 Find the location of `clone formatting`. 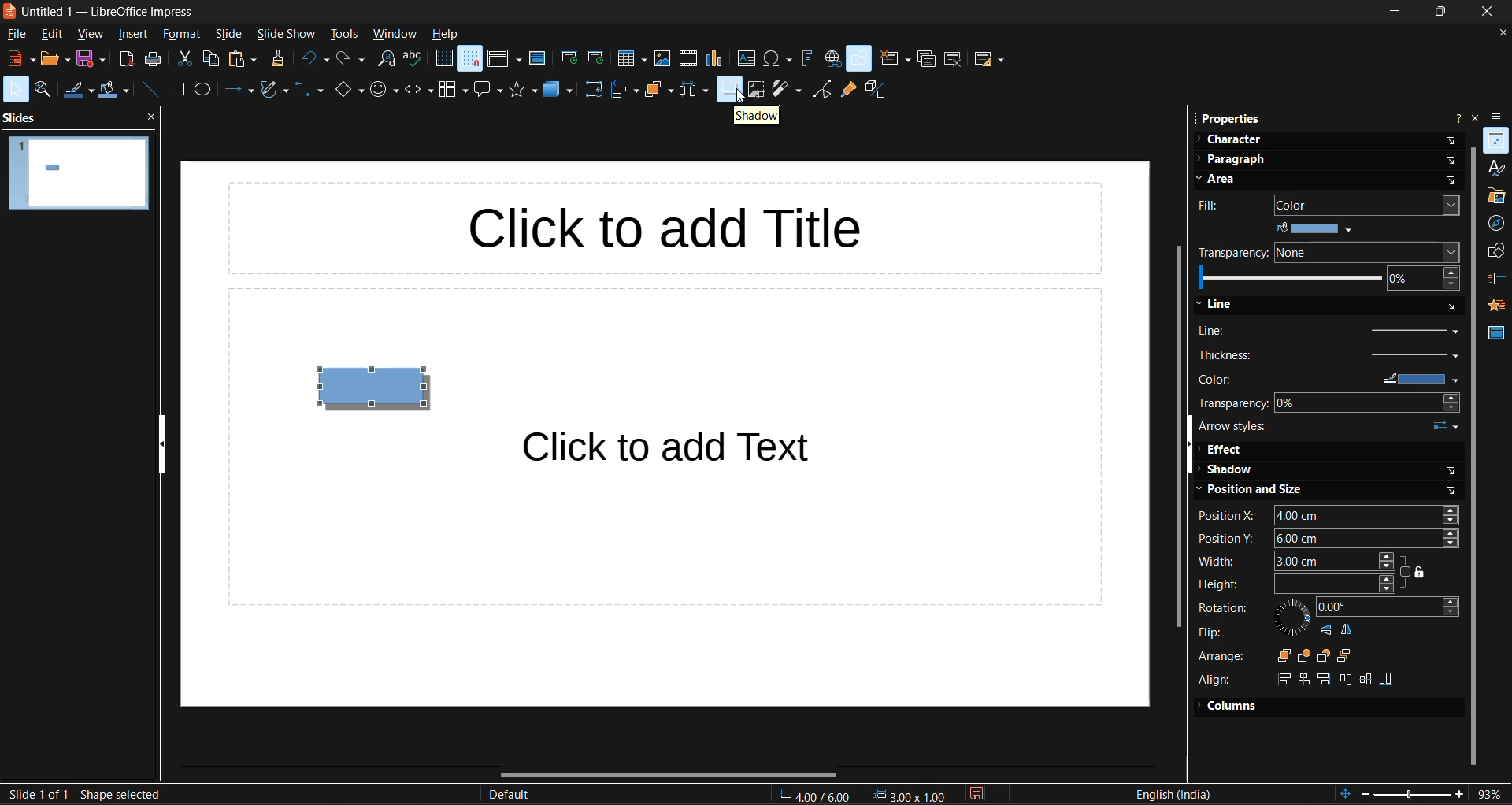

clone formatting is located at coordinates (277, 58).